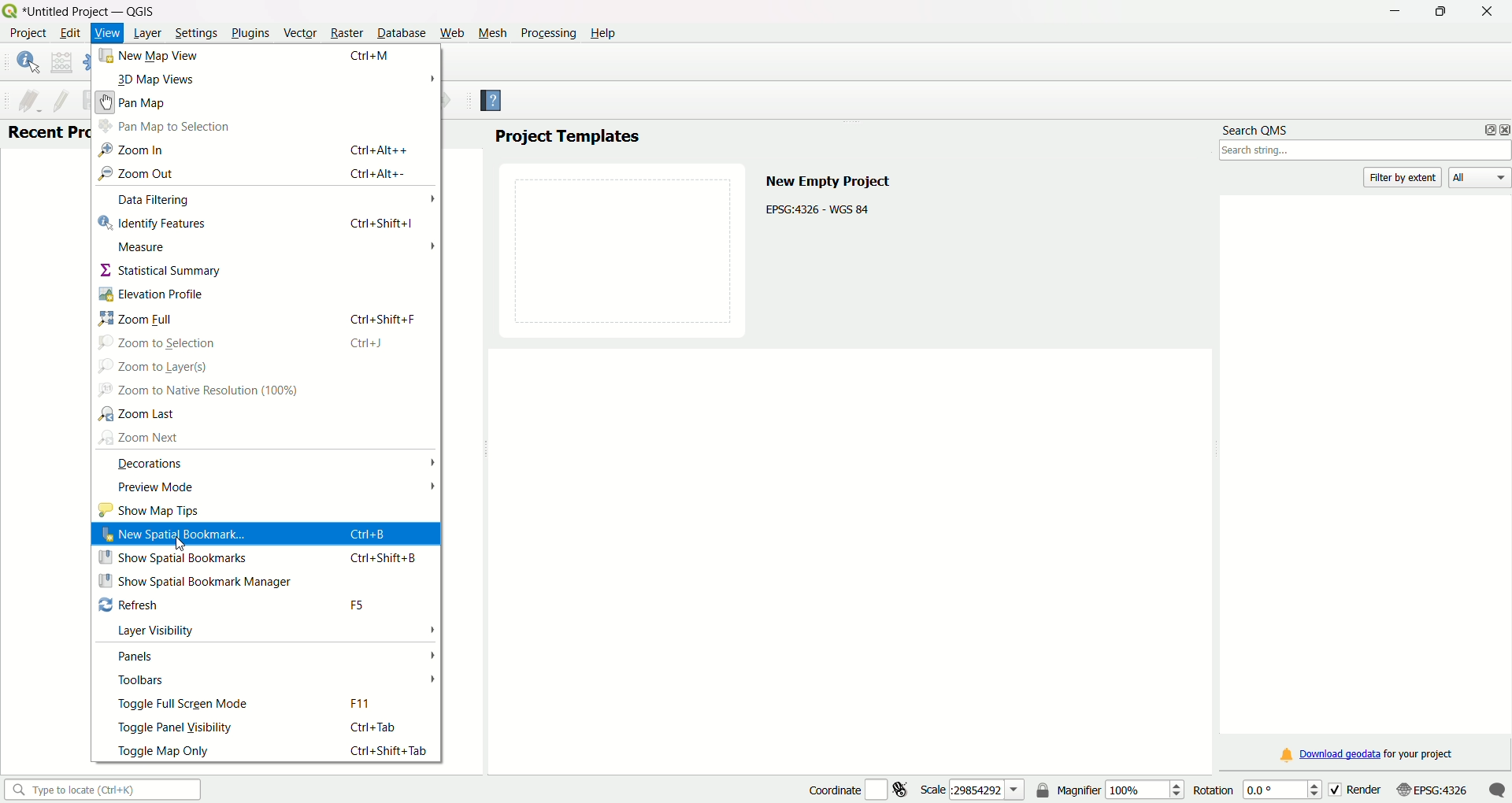 Image resolution: width=1512 pixels, height=803 pixels. I want to click on Raster, so click(346, 33).